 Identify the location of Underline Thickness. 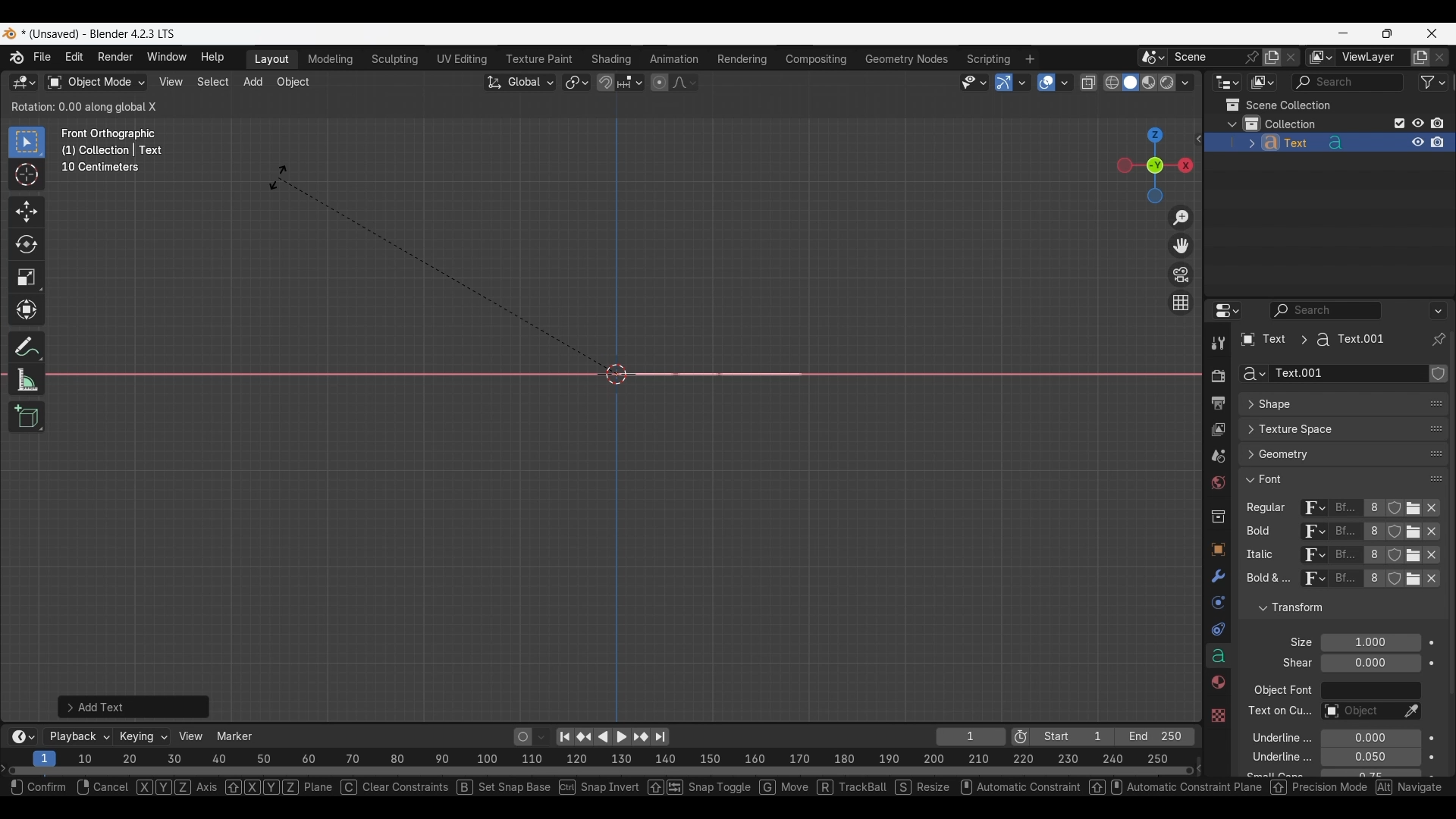
(1370, 758).